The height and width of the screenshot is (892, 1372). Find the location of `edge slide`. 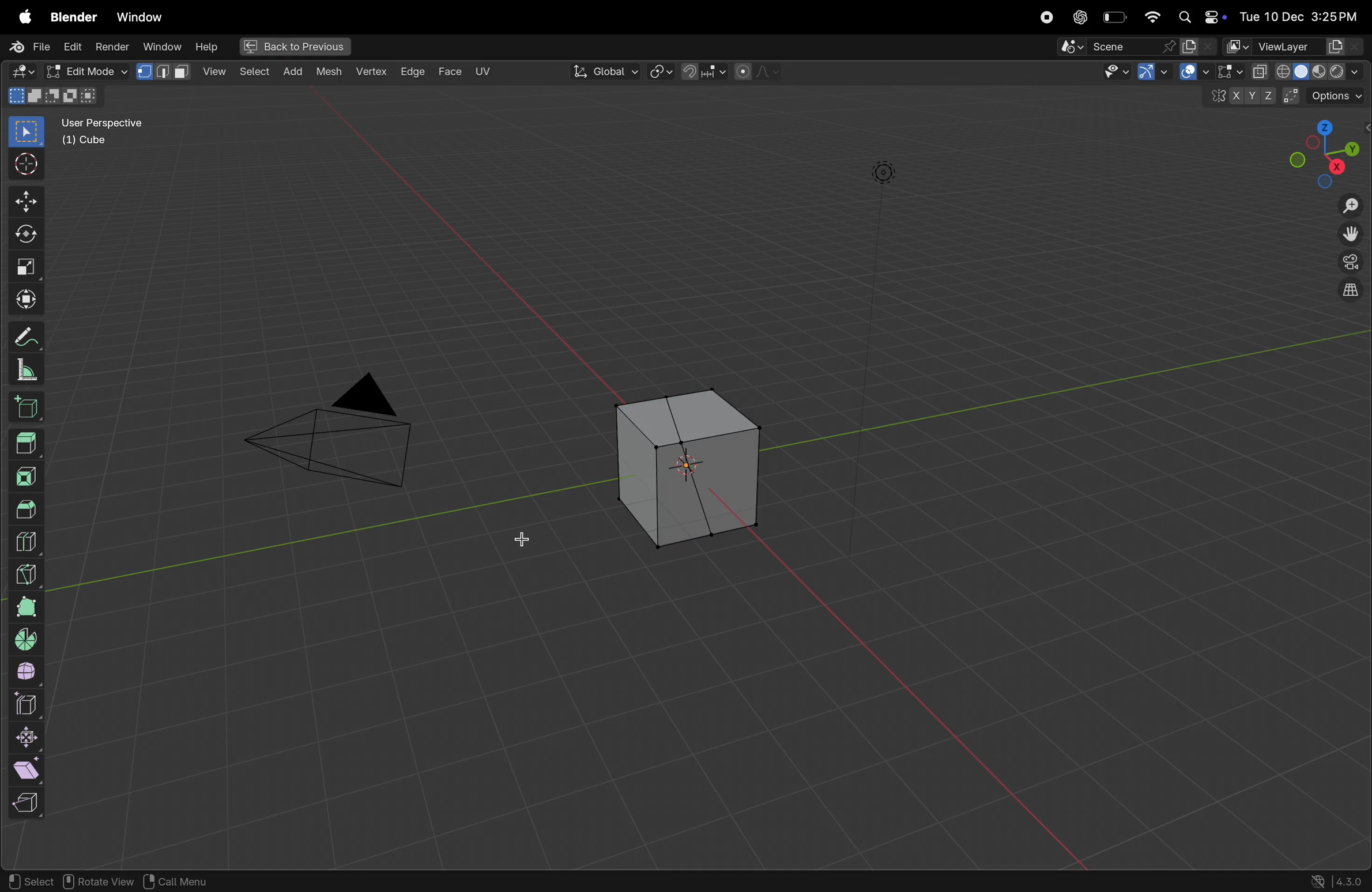

edge slide is located at coordinates (29, 705).